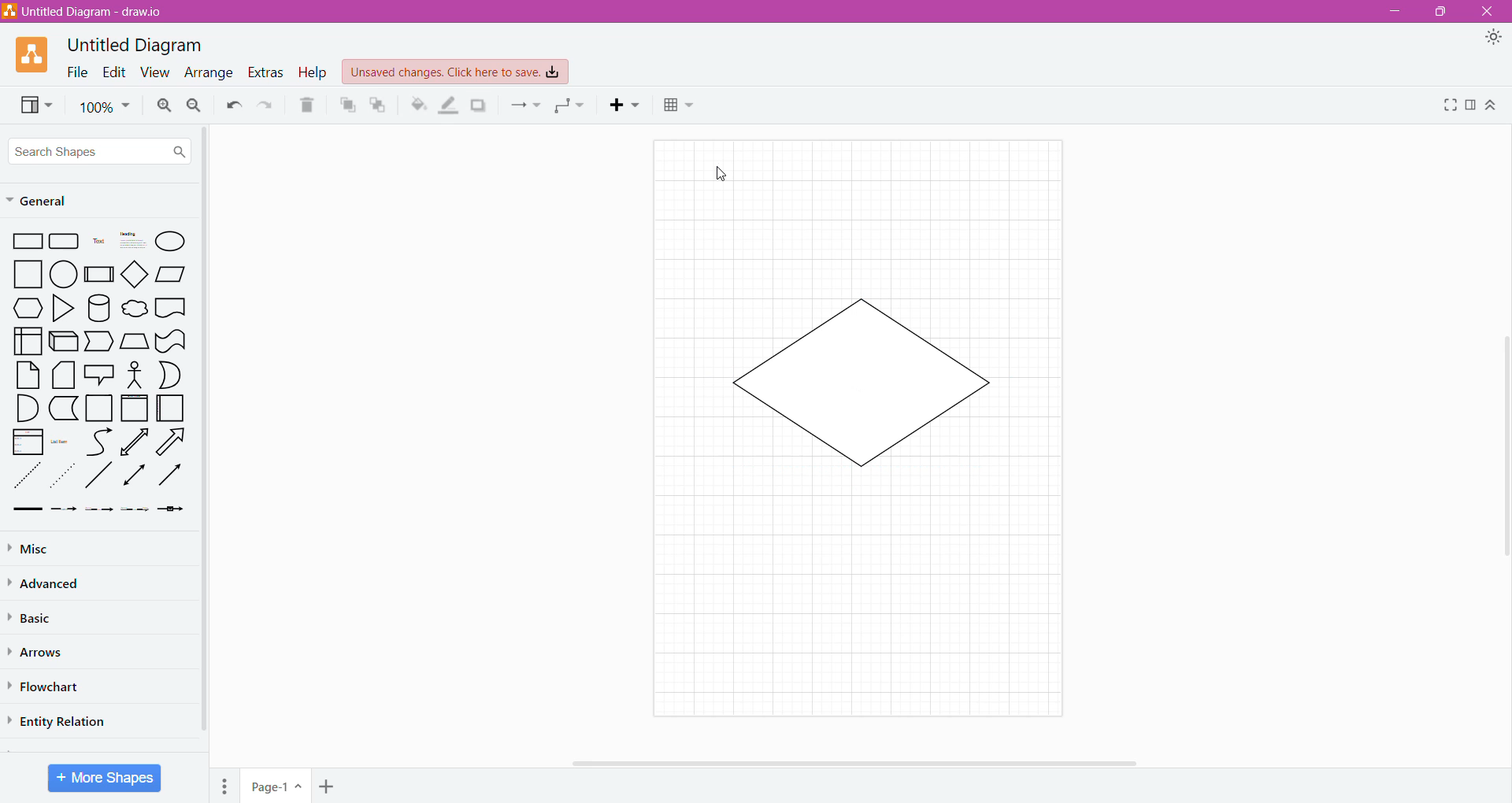  What do you see at coordinates (136, 276) in the screenshot?
I see `Diamond` at bounding box center [136, 276].